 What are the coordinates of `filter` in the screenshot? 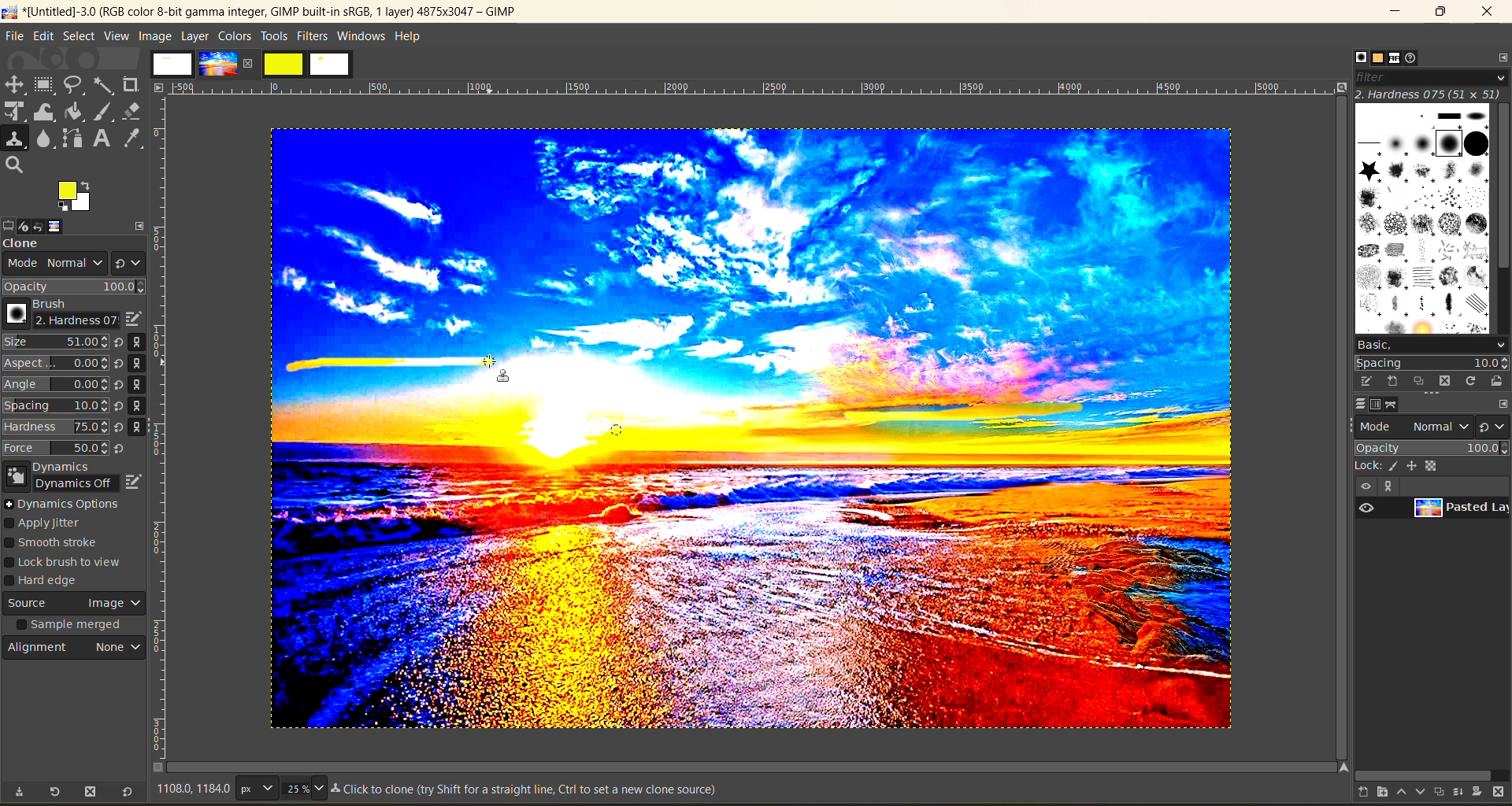 It's located at (1429, 76).